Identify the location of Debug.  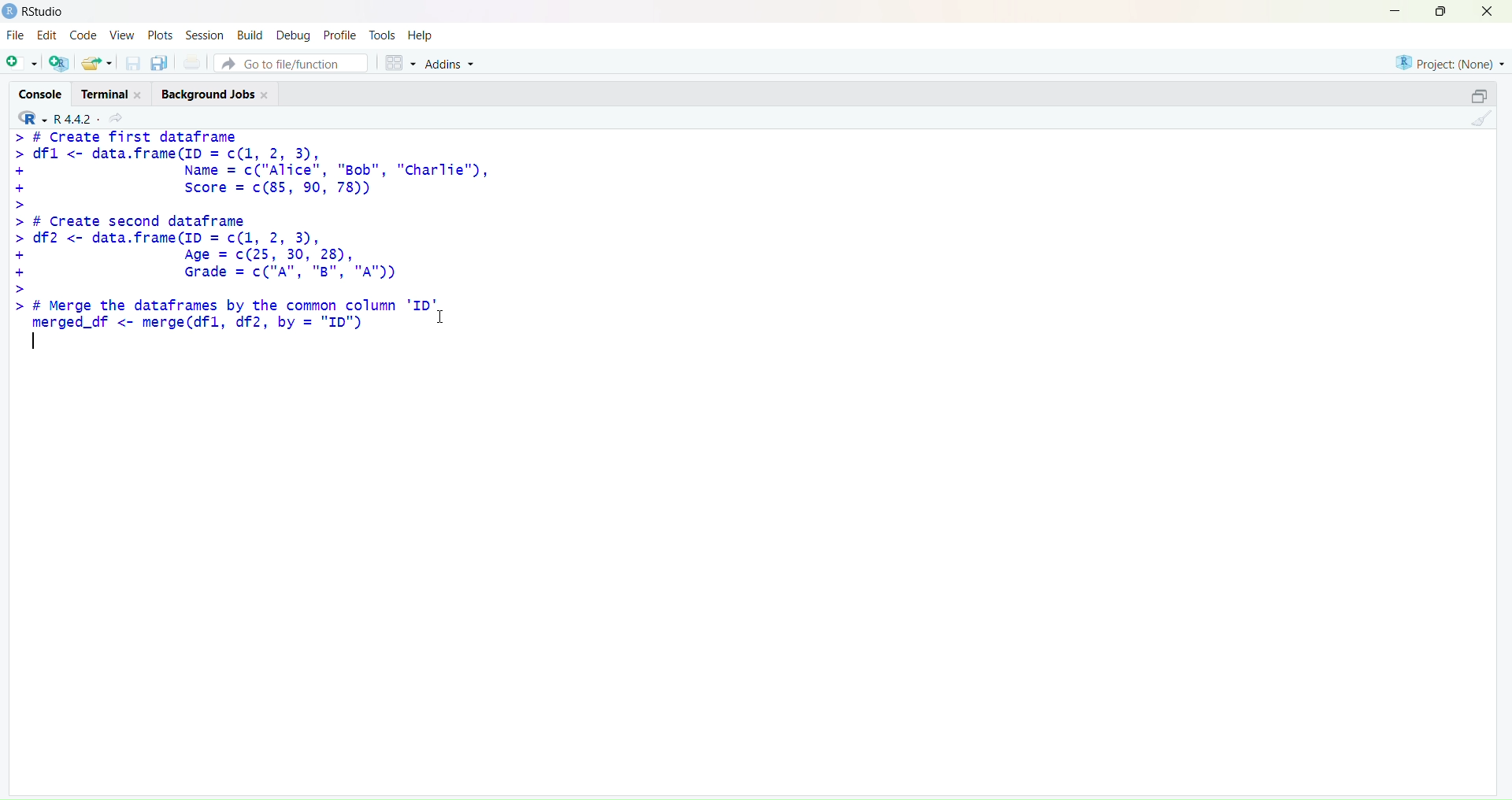
(293, 36).